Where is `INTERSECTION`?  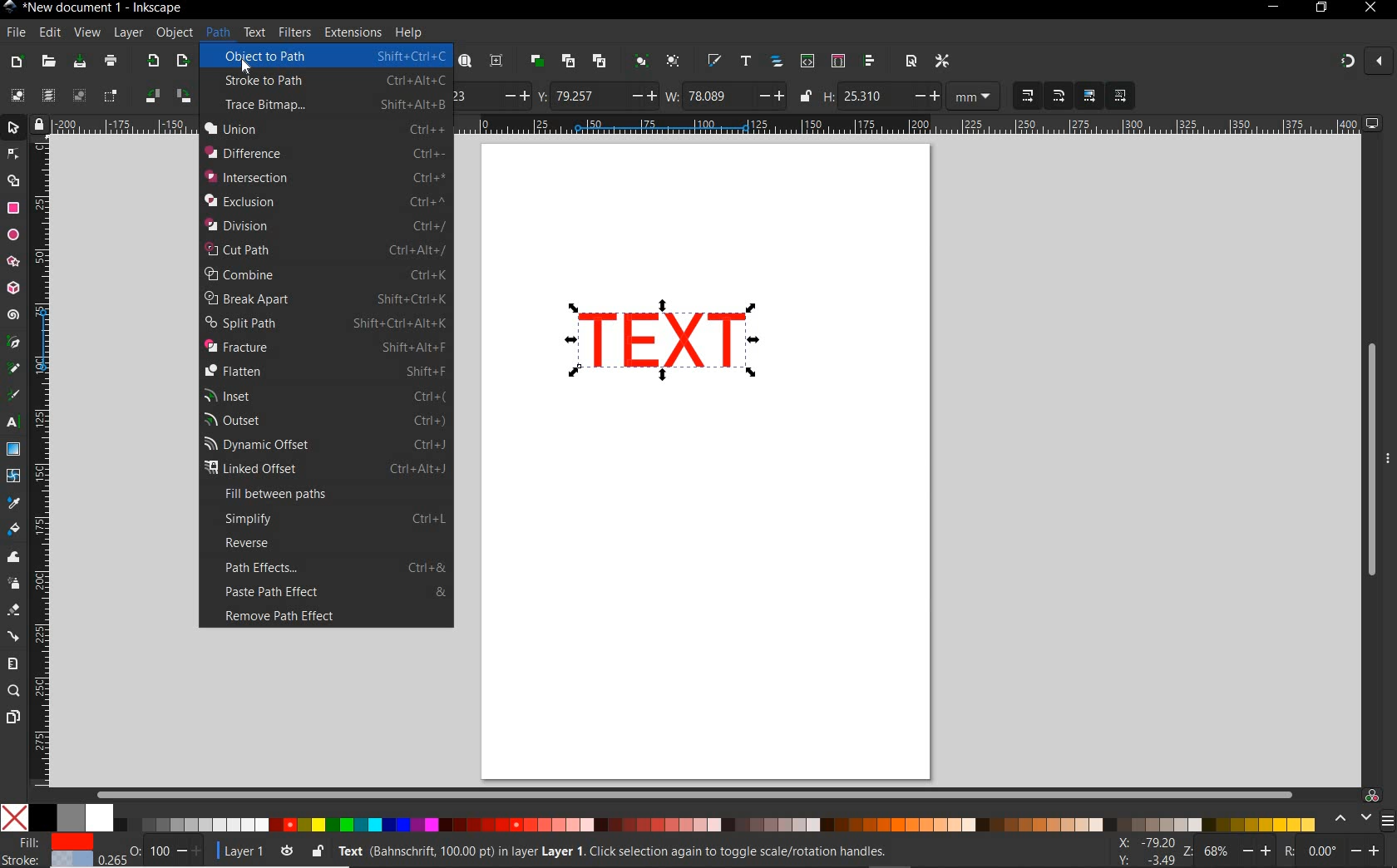
INTERSECTION is located at coordinates (324, 177).